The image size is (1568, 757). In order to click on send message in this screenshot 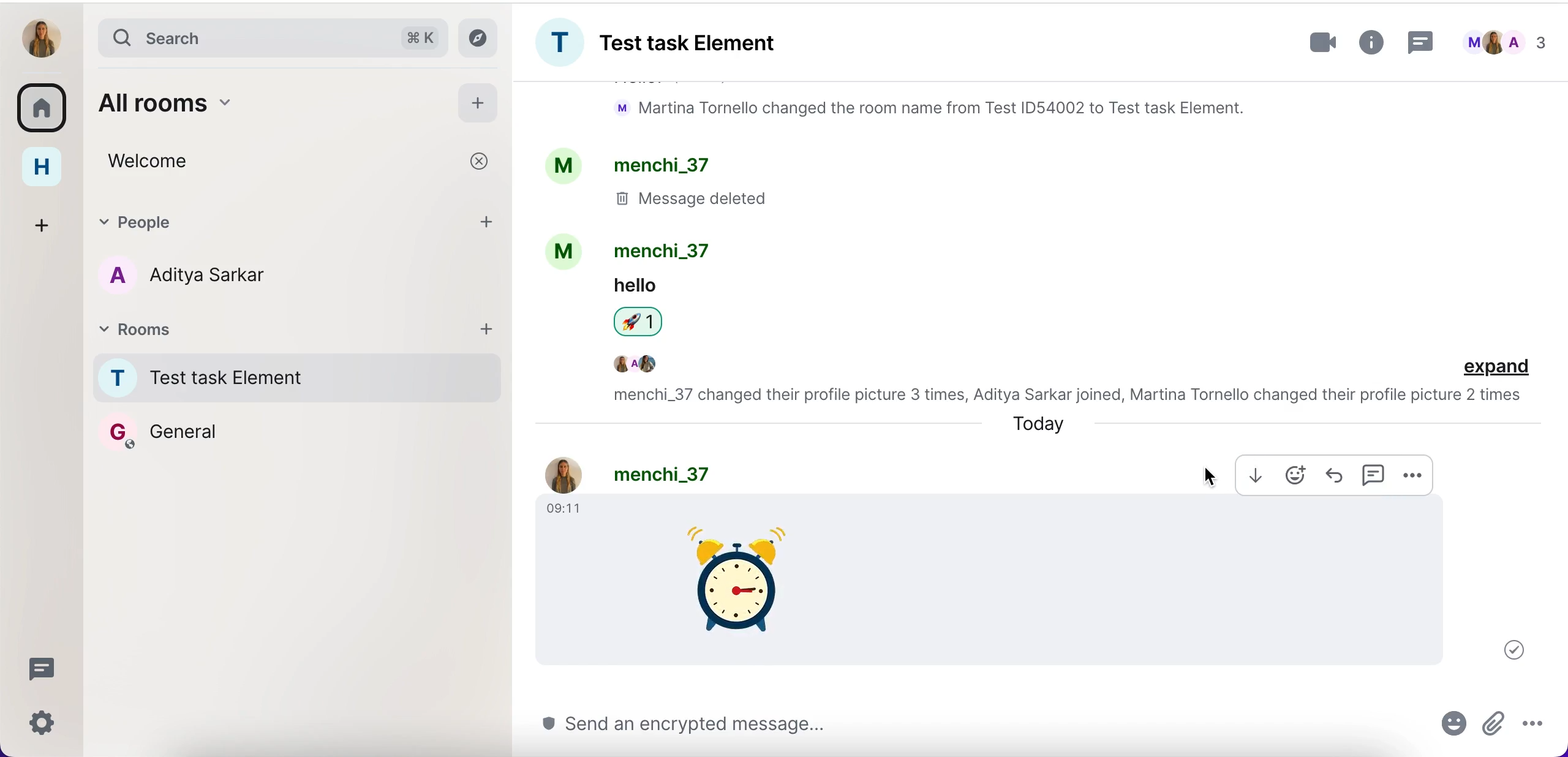, I will do `click(941, 724)`.